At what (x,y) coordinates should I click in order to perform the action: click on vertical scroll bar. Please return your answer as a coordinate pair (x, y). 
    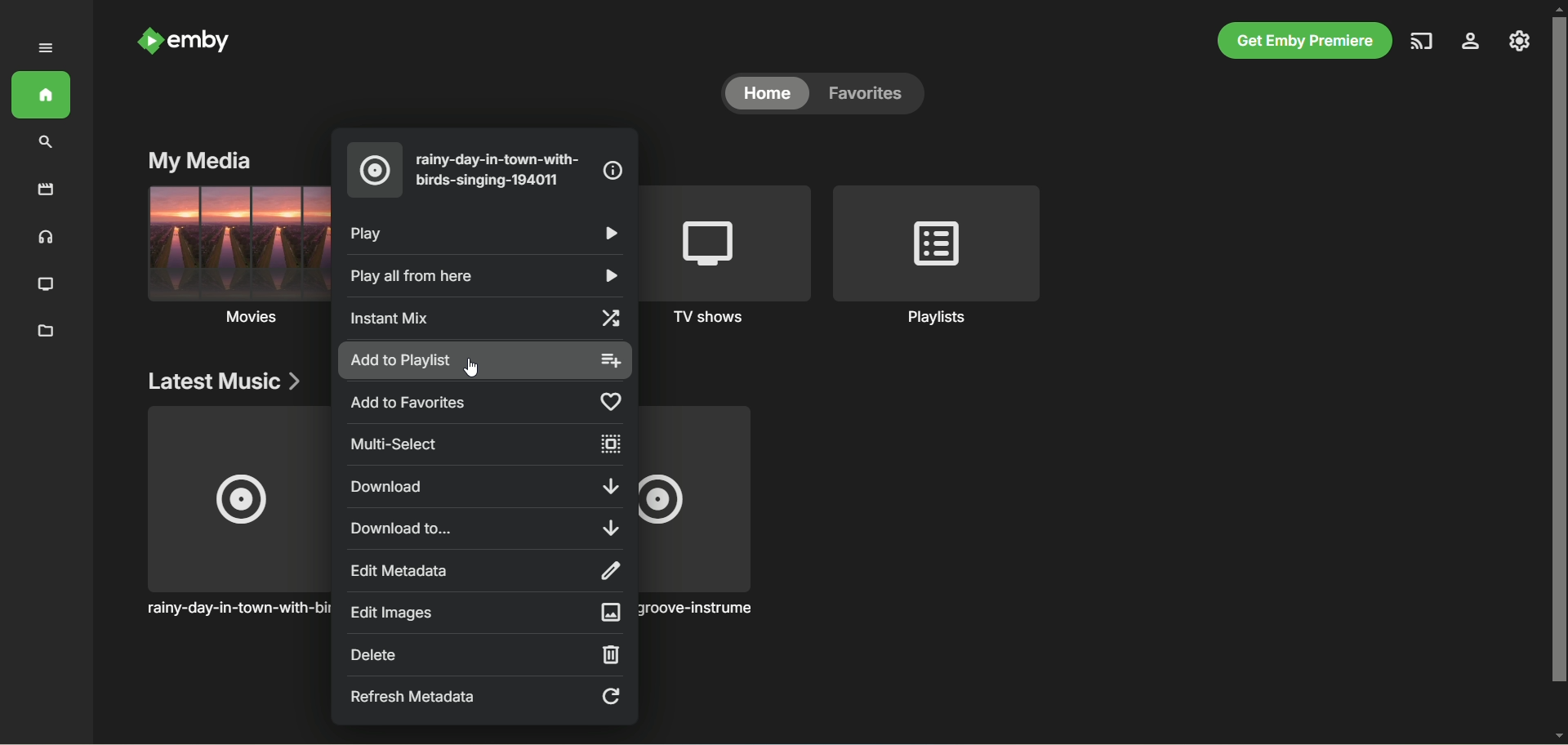
    Looking at the image, I should click on (1558, 374).